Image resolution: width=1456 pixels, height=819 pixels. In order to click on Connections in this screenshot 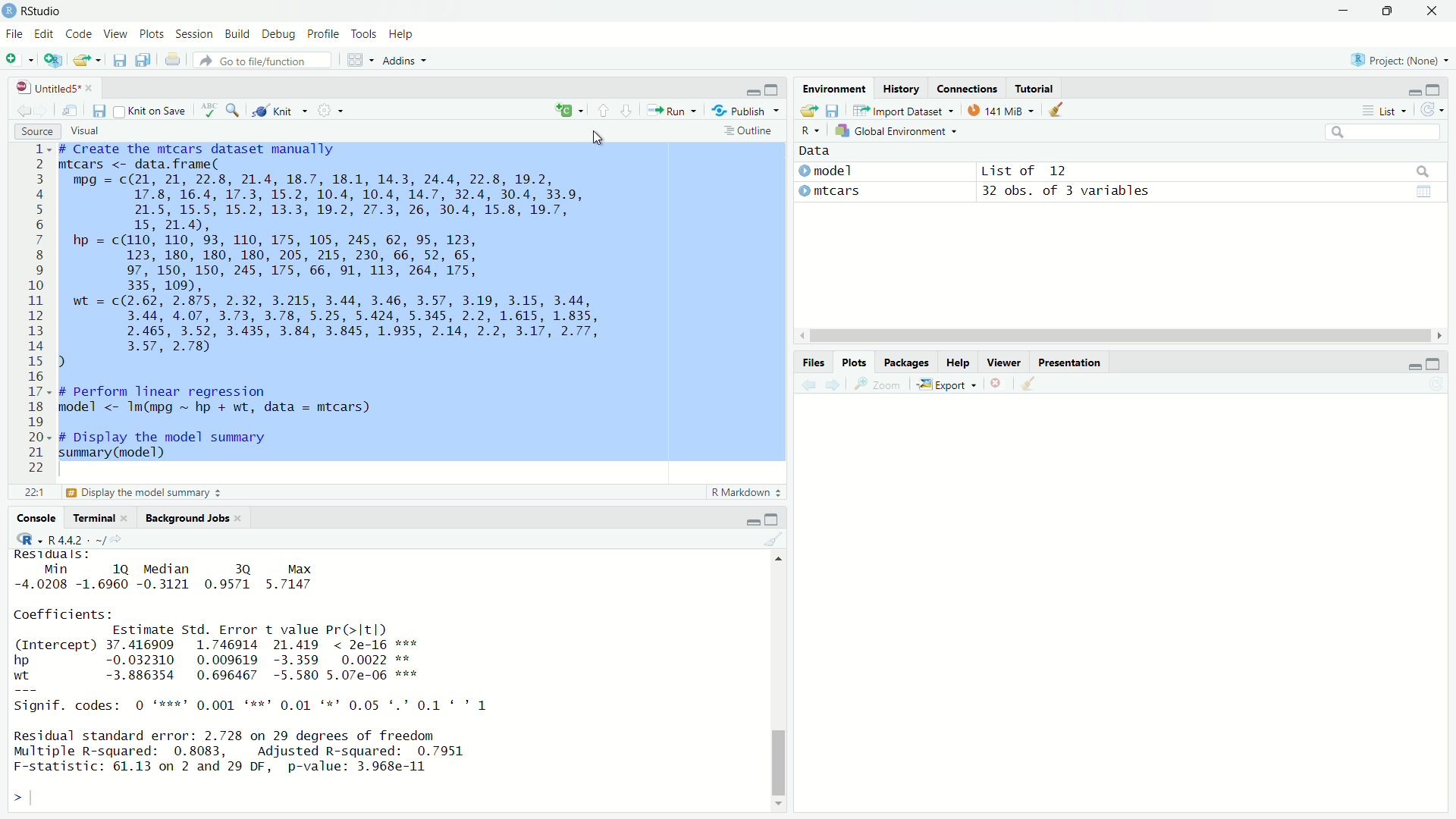, I will do `click(968, 89)`.